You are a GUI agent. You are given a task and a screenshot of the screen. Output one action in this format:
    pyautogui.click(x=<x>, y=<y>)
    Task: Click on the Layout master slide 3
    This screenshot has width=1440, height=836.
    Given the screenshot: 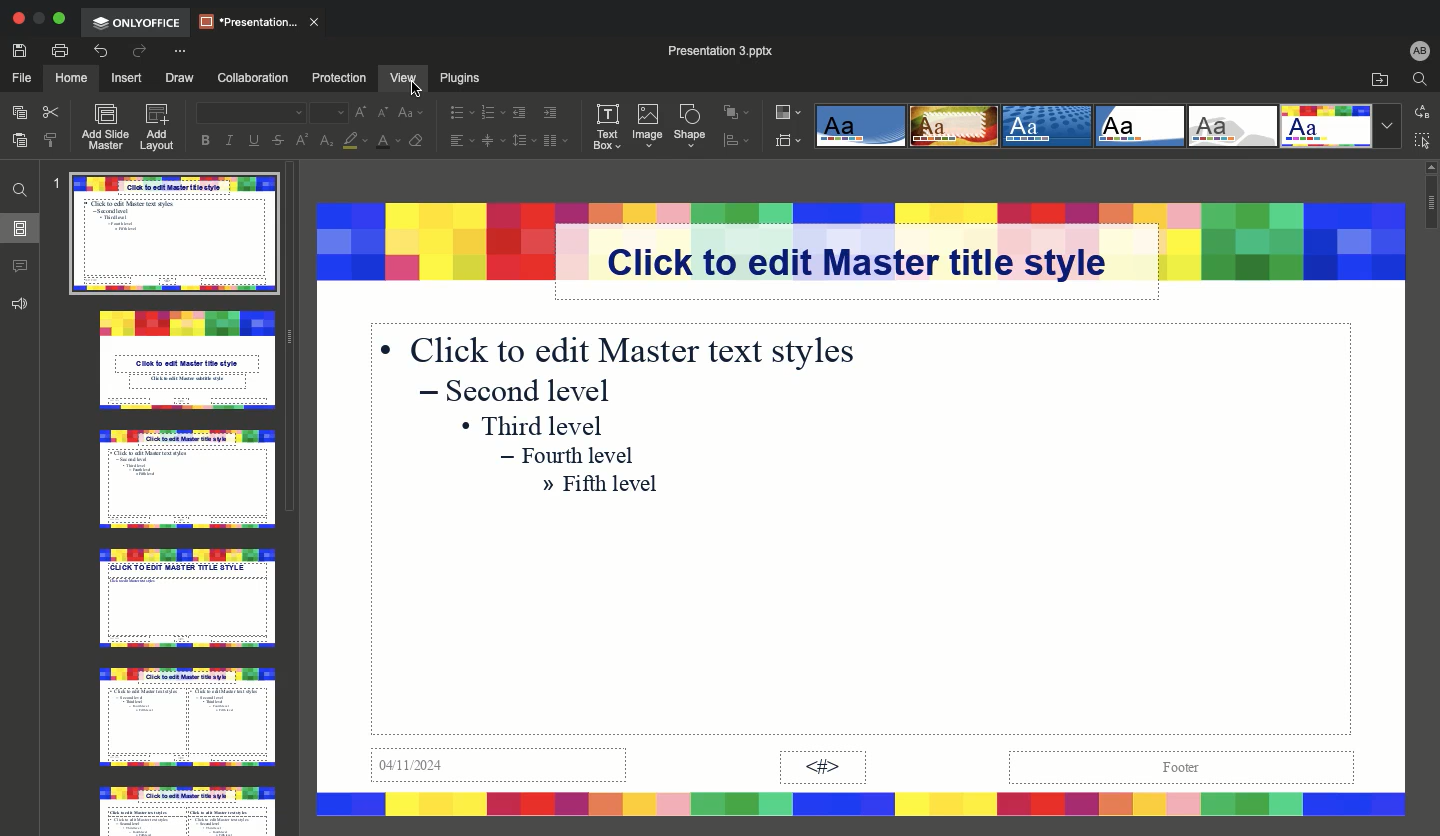 What is the action you would take?
    pyautogui.click(x=185, y=480)
    